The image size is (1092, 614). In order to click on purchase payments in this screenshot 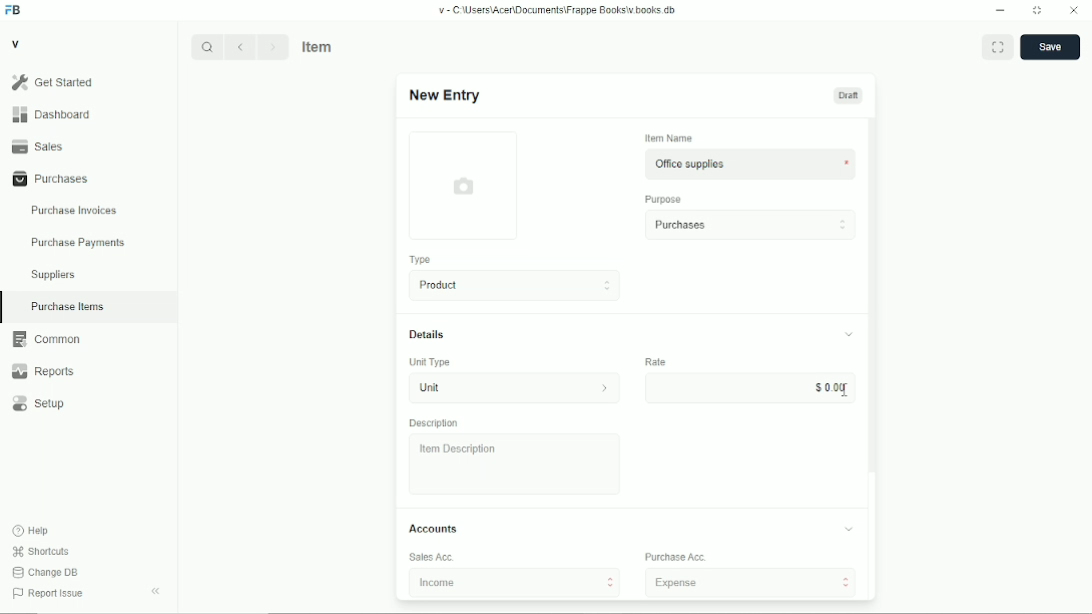, I will do `click(77, 243)`.